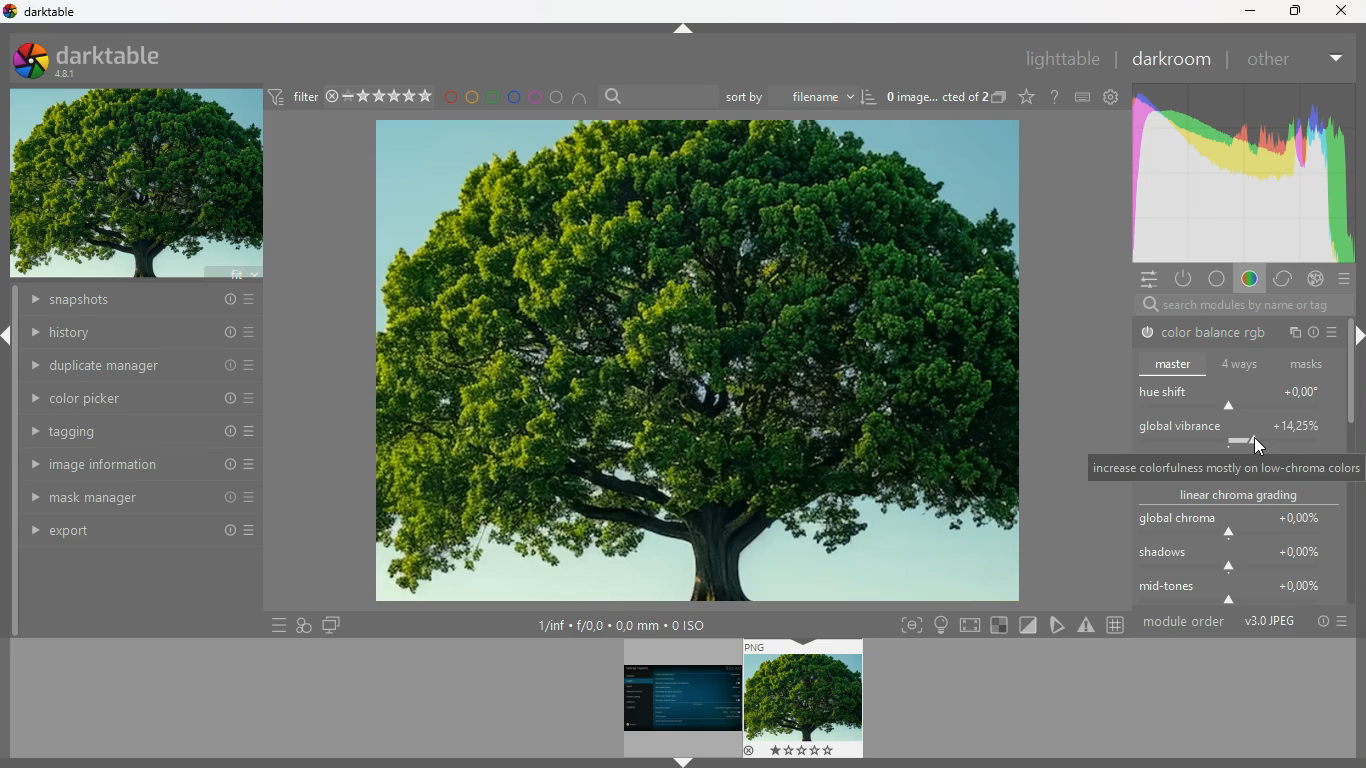  What do you see at coordinates (514, 97) in the screenshot?
I see `blue` at bounding box center [514, 97].